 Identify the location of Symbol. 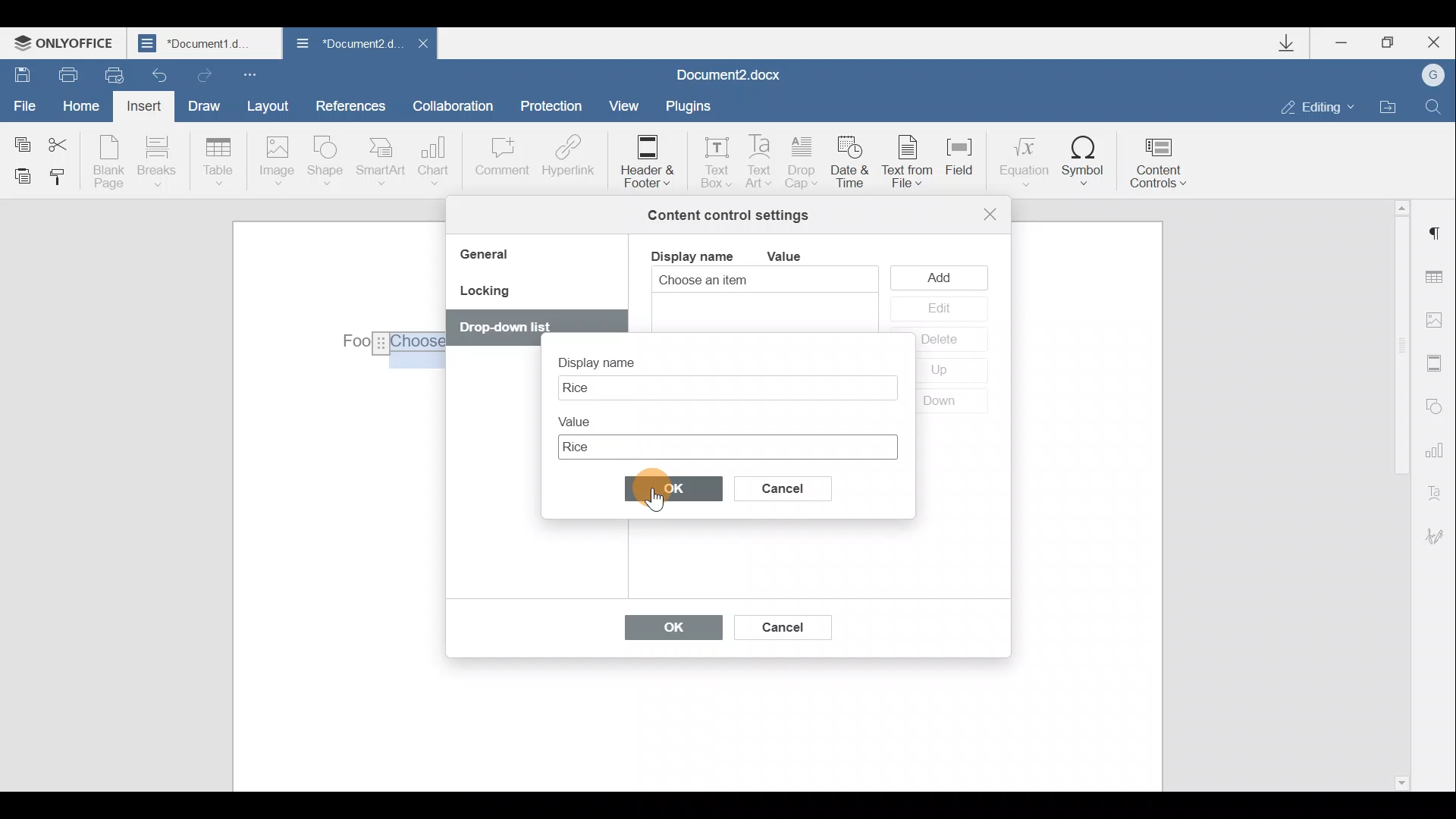
(1084, 160).